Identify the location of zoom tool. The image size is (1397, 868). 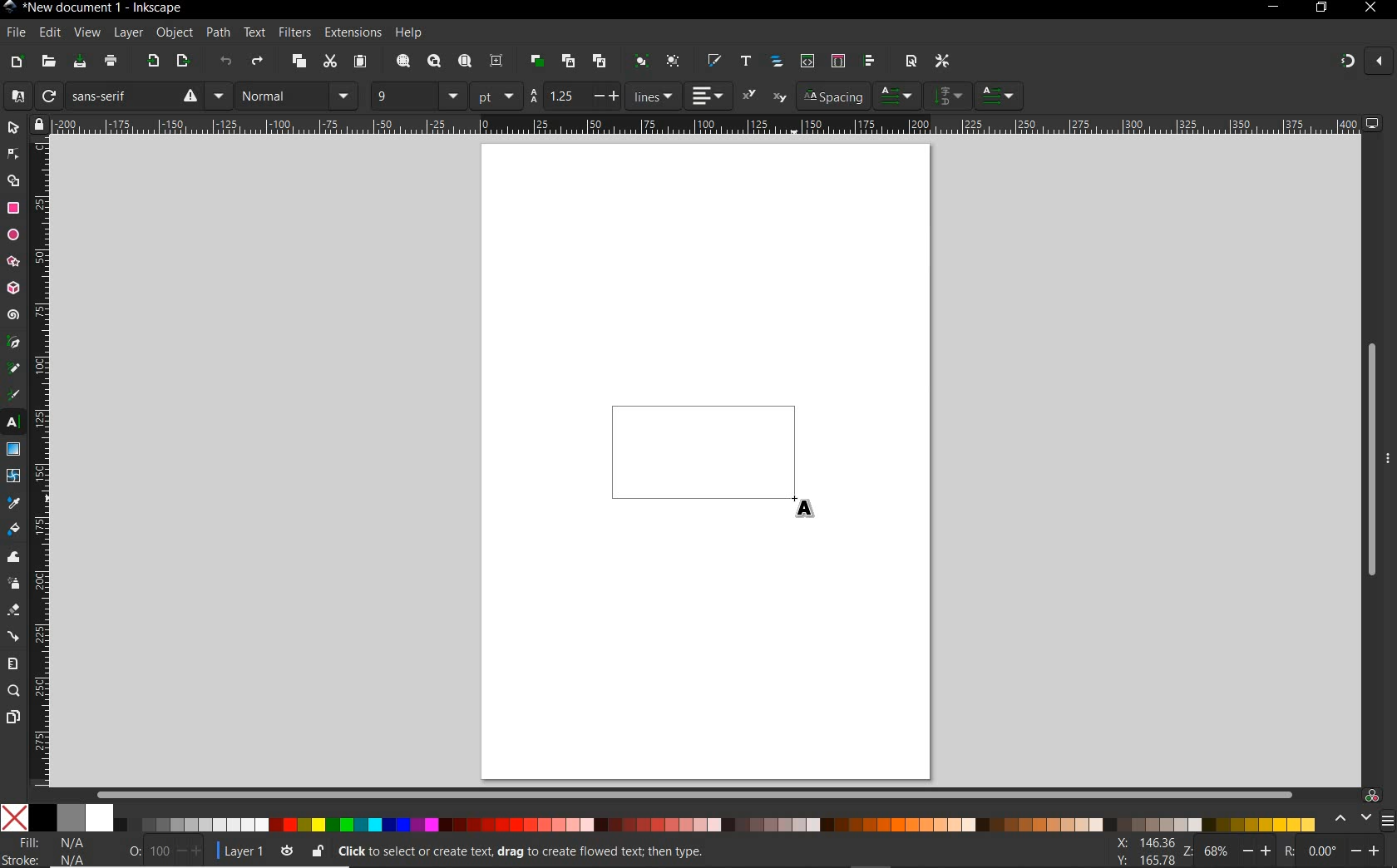
(14, 691).